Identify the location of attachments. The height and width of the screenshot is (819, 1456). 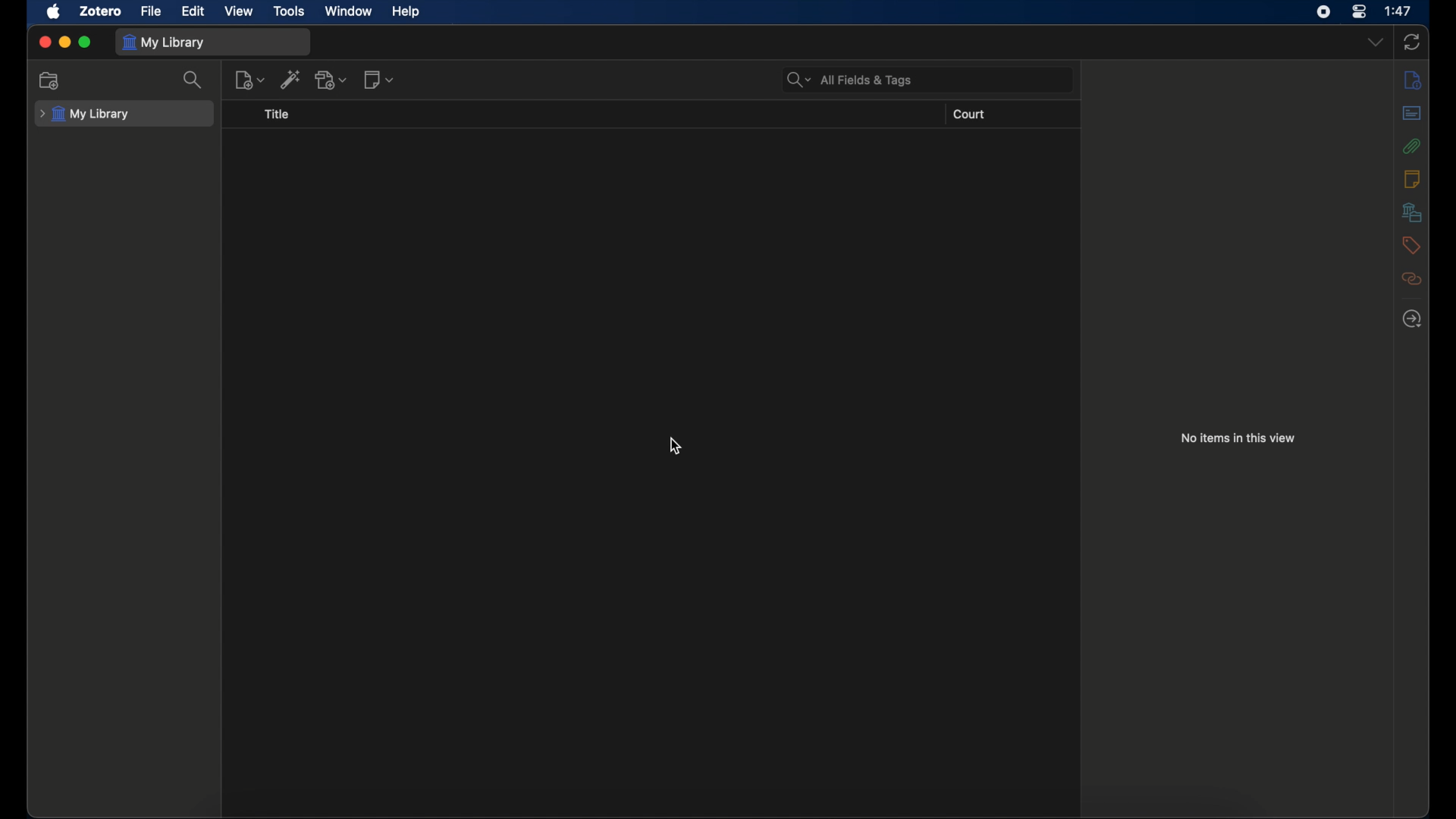
(1412, 146).